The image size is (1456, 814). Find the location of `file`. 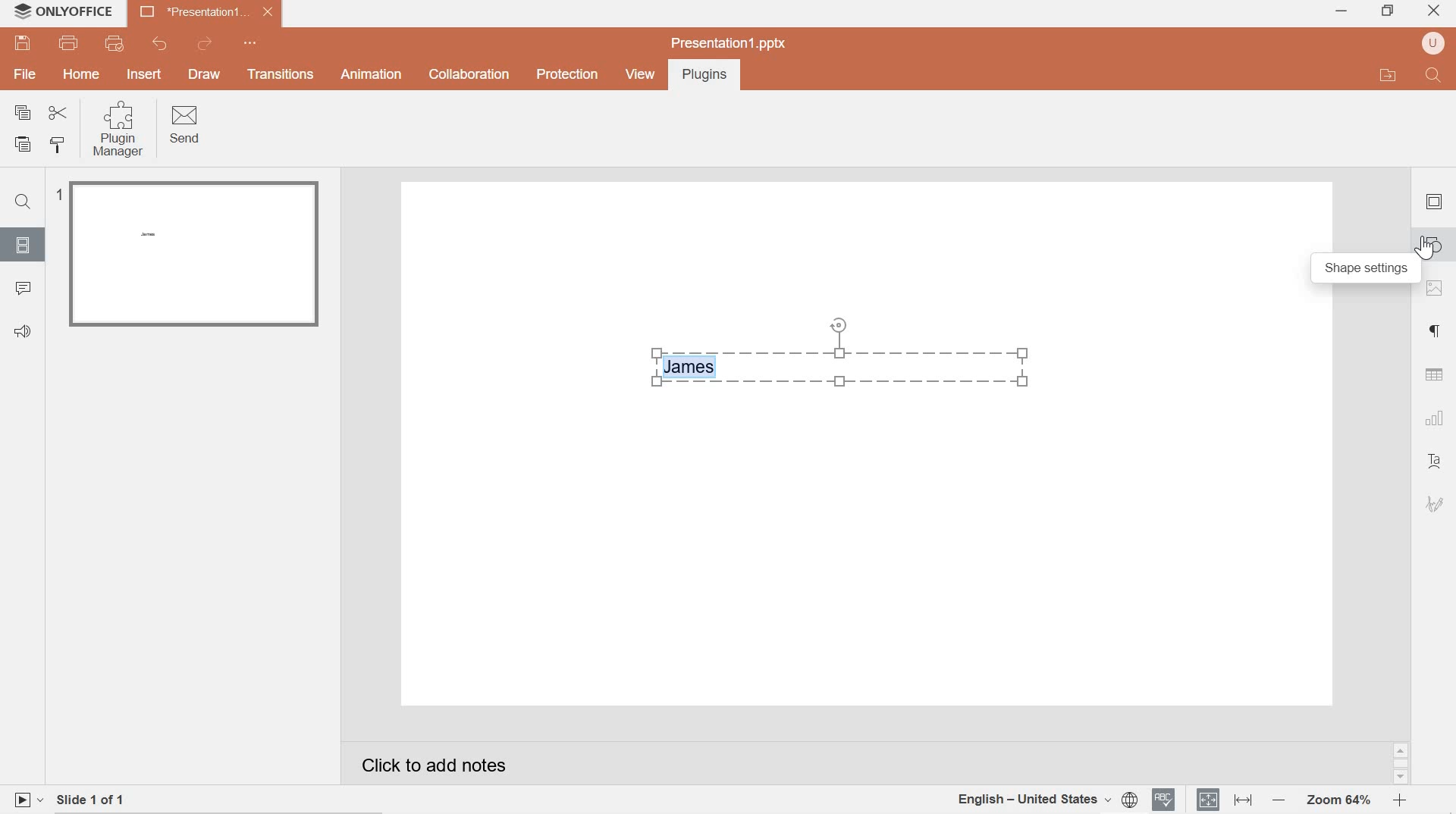

file is located at coordinates (26, 76).